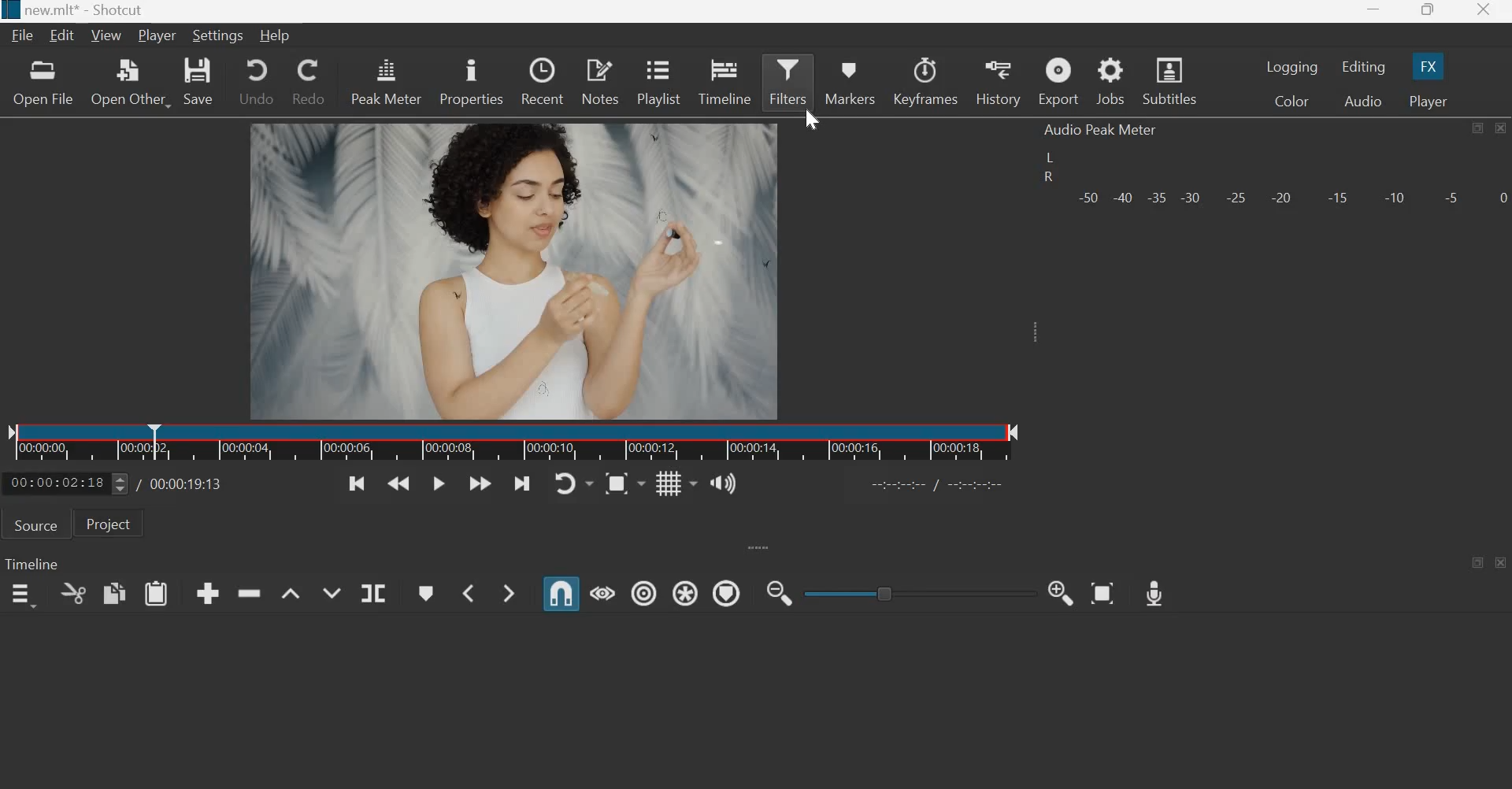 This screenshot has width=1512, height=789. Describe the element at coordinates (107, 524) in the screenshot. I see `Project` at that location.